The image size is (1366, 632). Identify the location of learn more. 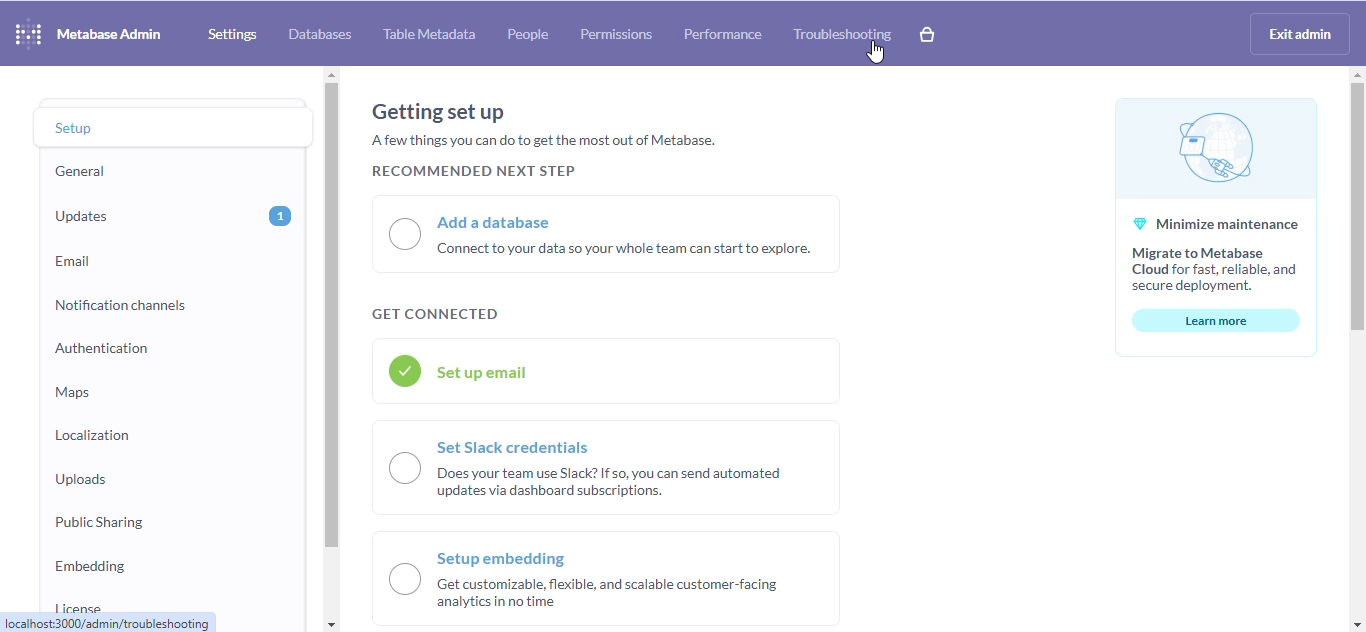
(1217, 320).